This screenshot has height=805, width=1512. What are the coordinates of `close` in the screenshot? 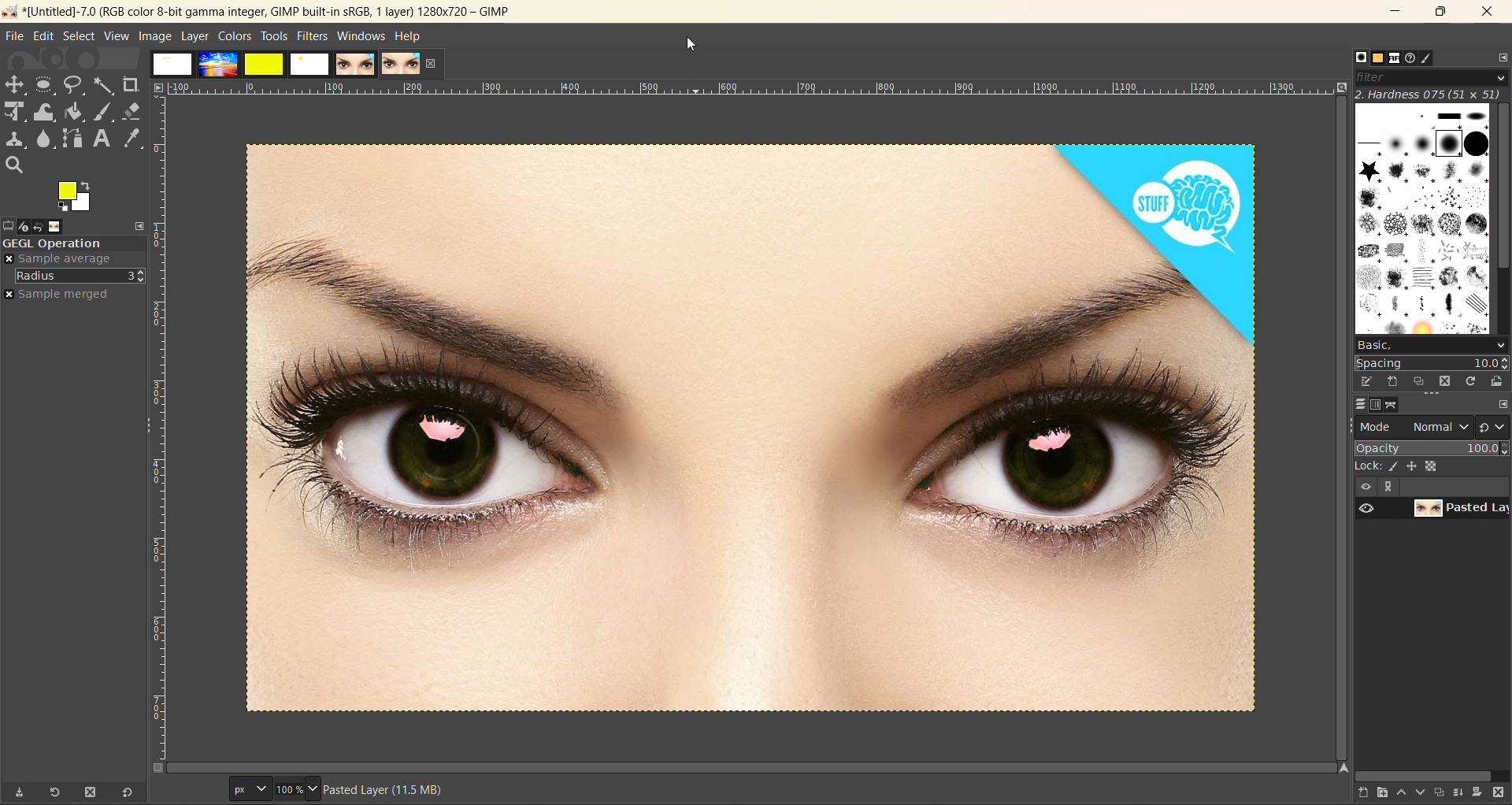 It's located at (1488, 12).